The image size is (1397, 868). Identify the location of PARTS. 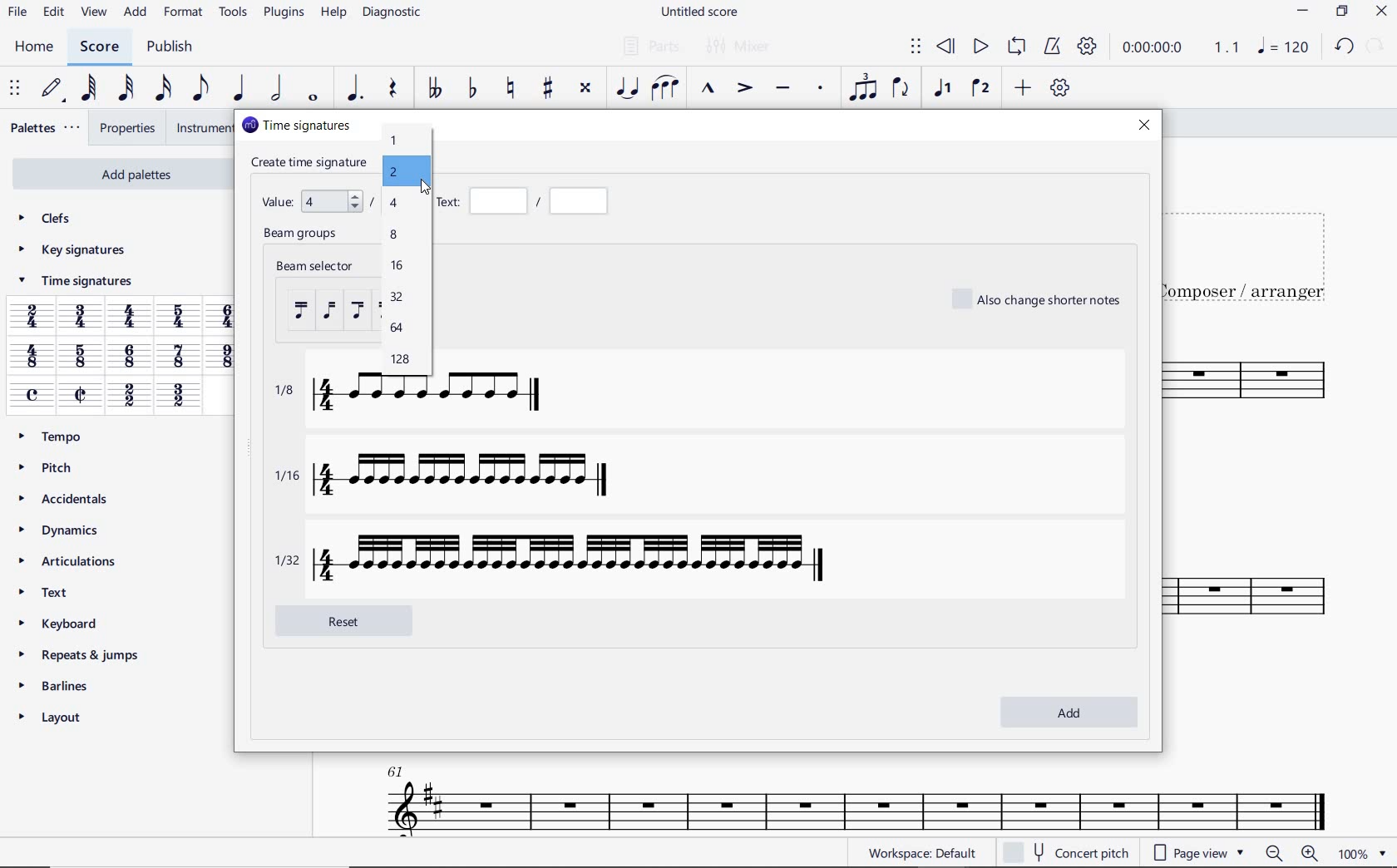
(650, 46).